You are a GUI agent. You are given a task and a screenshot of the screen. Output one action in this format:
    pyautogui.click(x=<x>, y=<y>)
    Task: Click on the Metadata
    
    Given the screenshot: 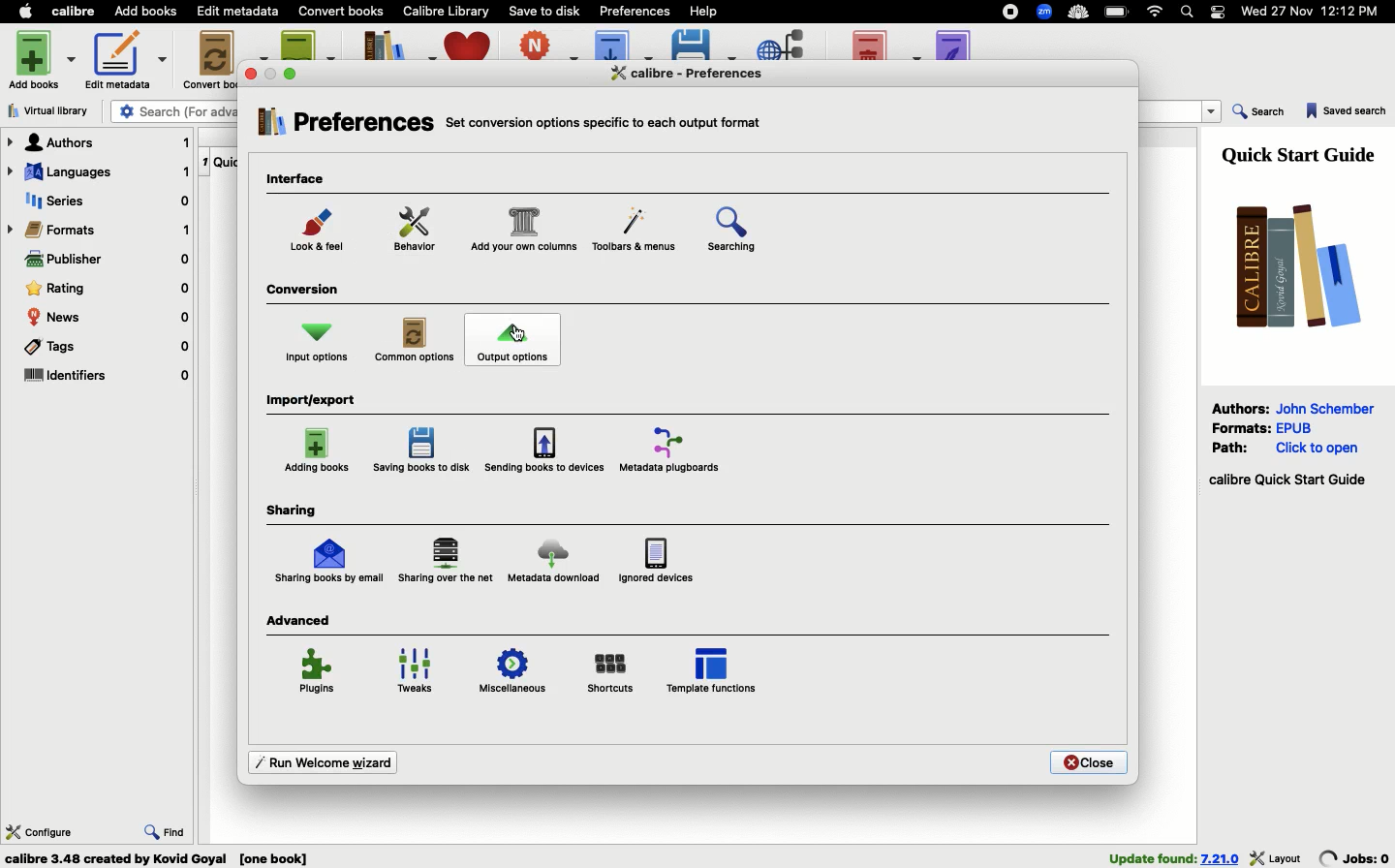 What is the action you would take?
    pyautogui.click(x=675, y=449)
    